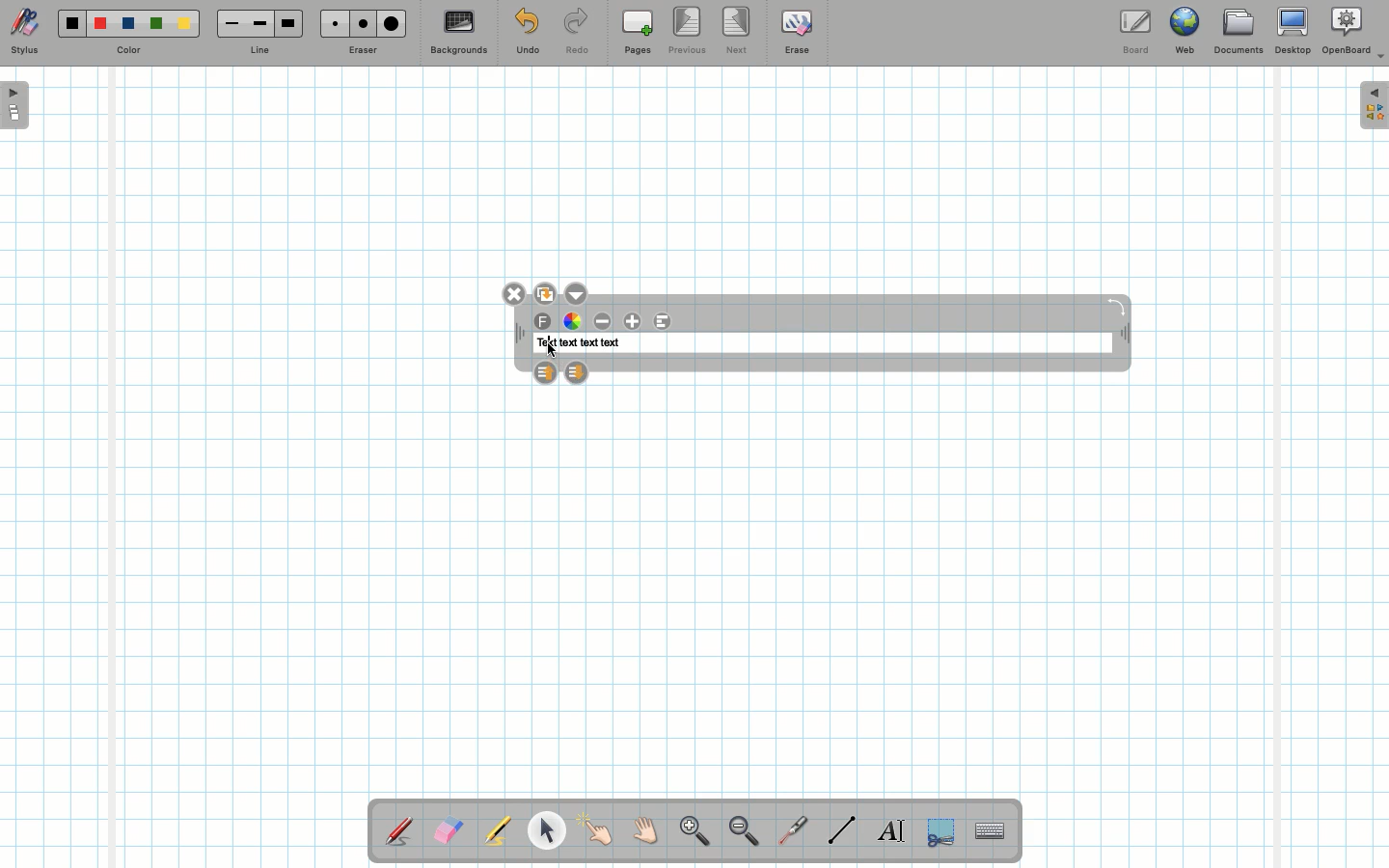 This screenshot has width=1389, height=868. What do you see at coordinates (527, 35) in the screenshot?
I see `Undo` at bounding box center [527, 35].